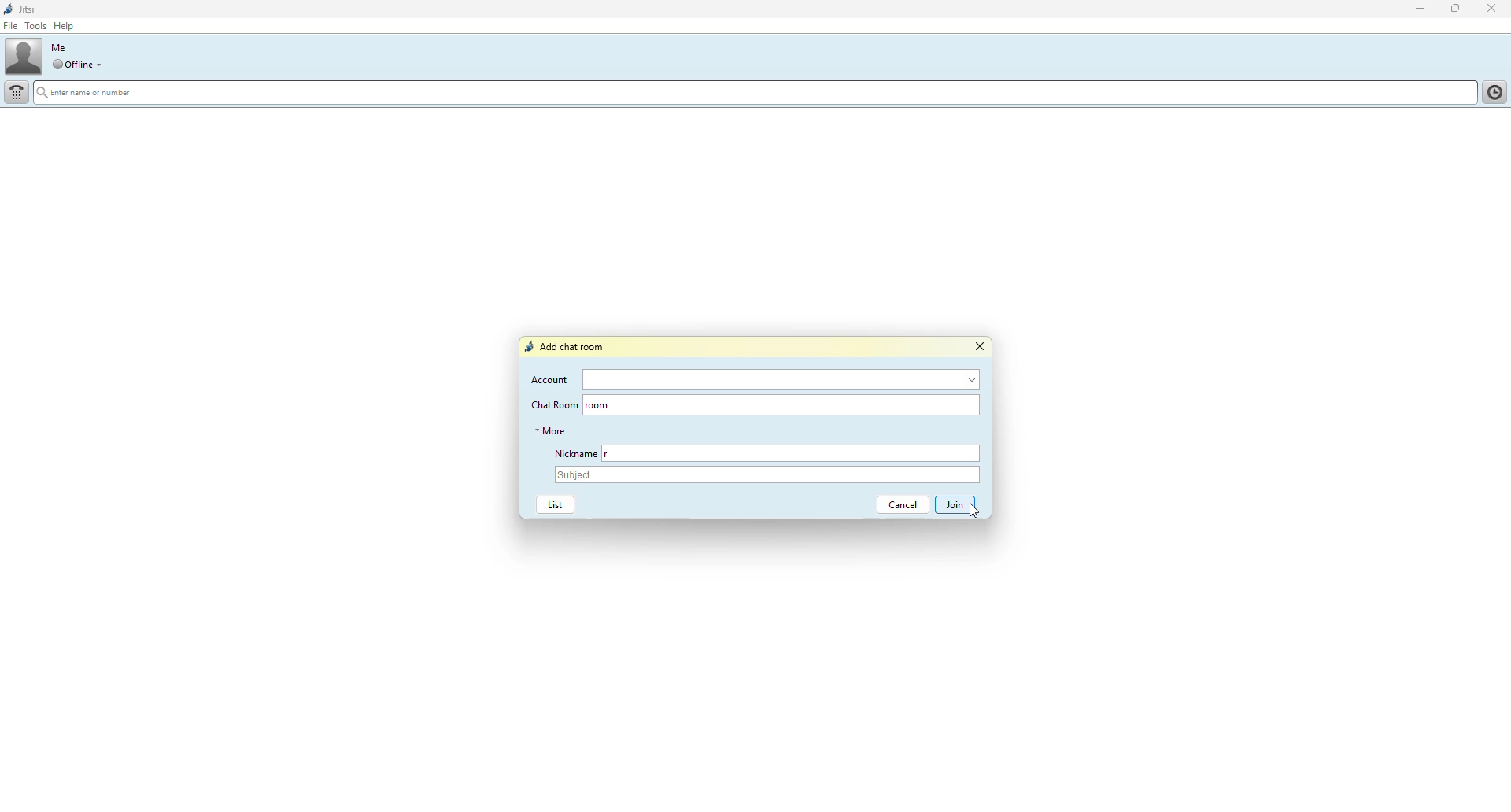 The image size is (1511, 812). I want to click on room, so click(599, 404).